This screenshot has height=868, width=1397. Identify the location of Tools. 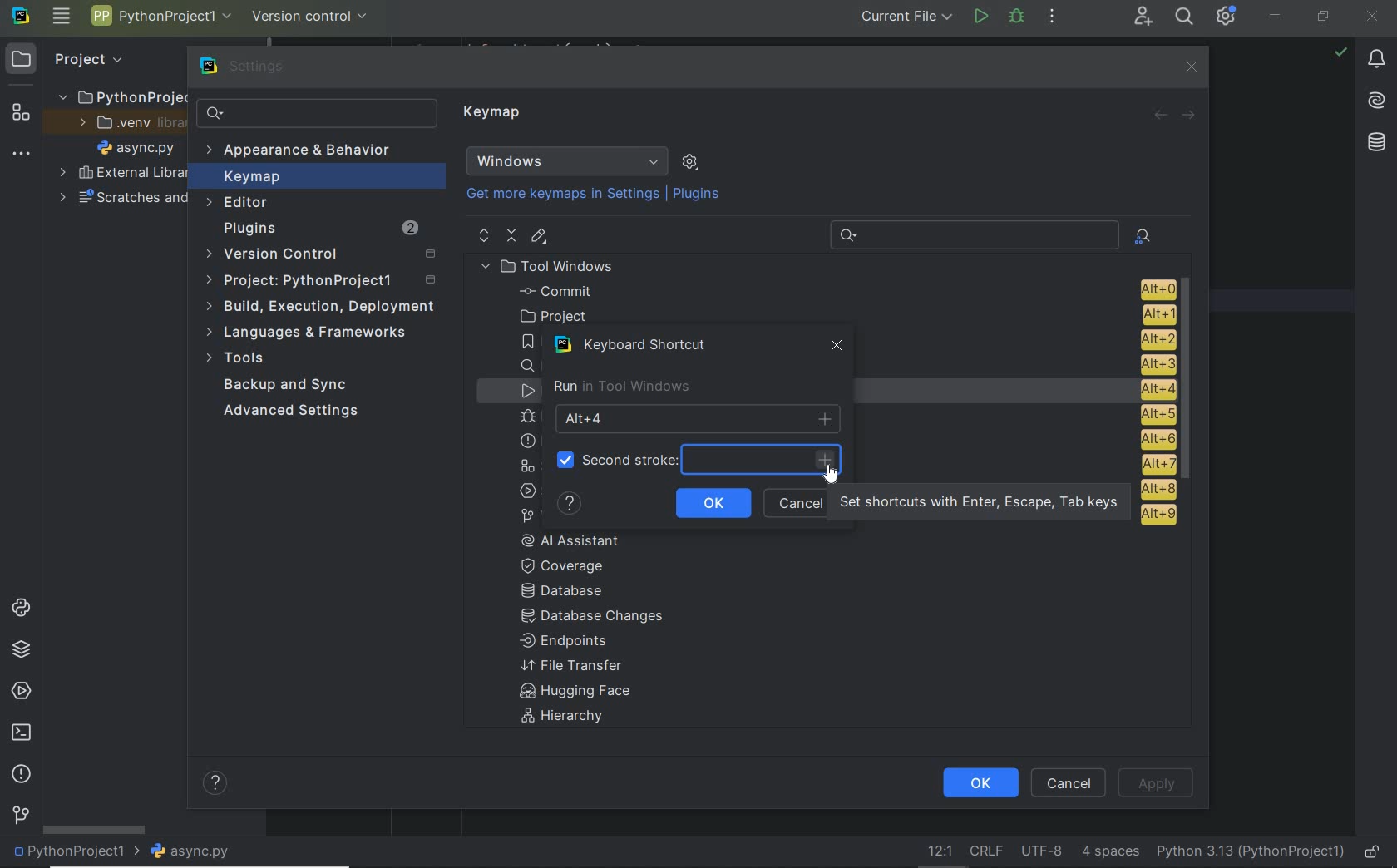
(239, 360).